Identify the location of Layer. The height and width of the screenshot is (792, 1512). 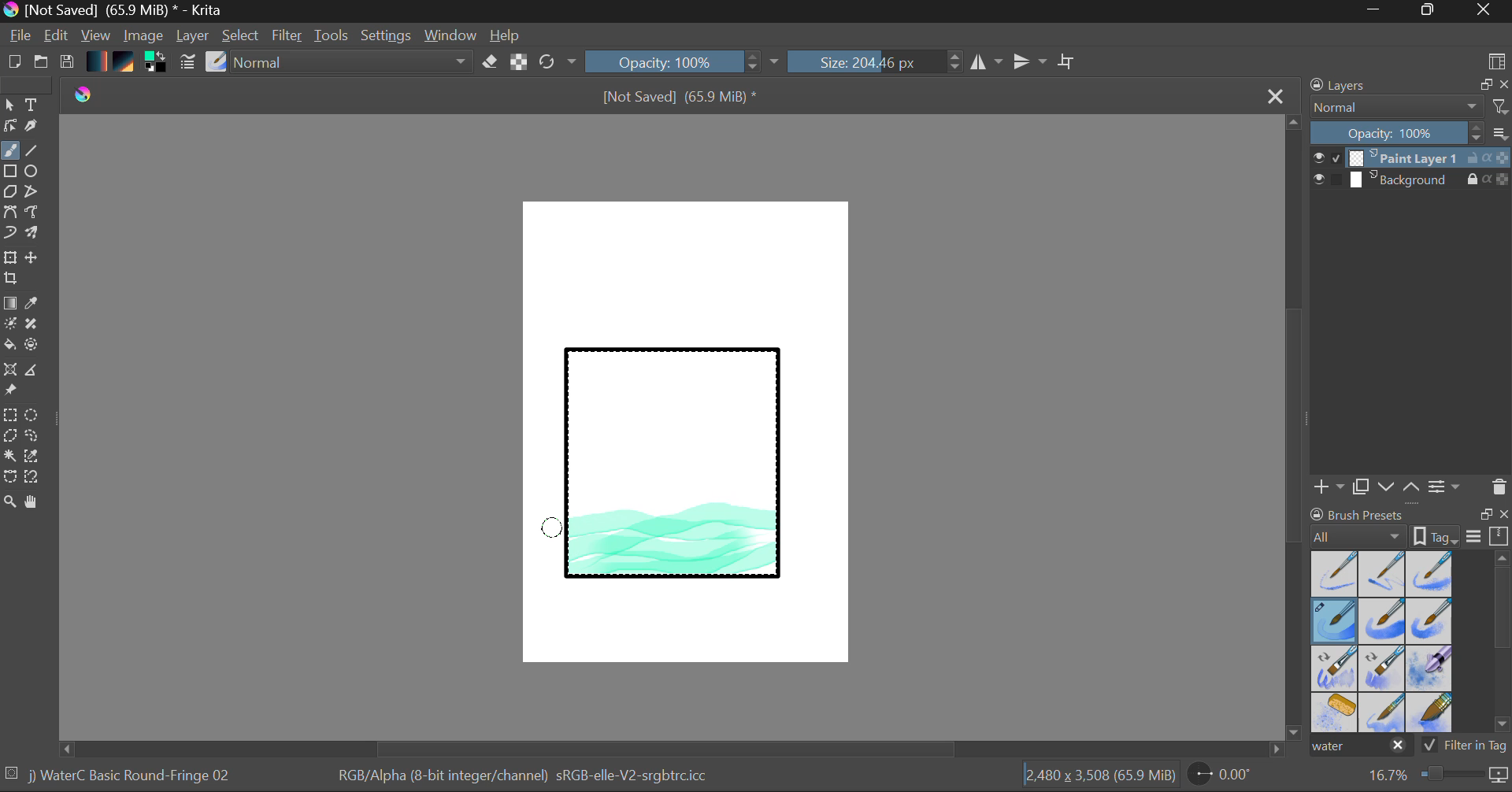
(195, 35).